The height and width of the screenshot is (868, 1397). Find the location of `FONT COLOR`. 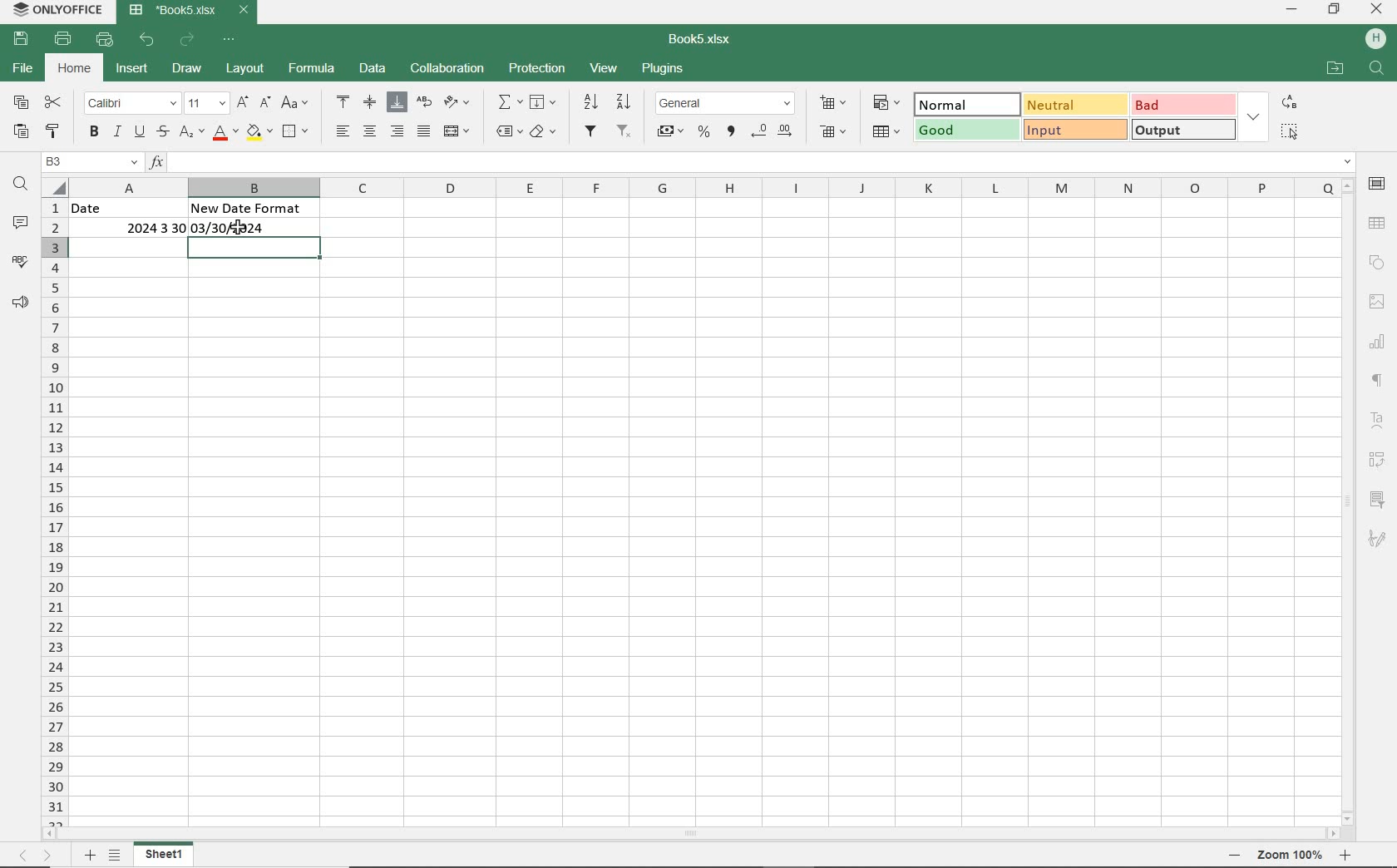

FONT COLOR is located at coordinates (225, 135).